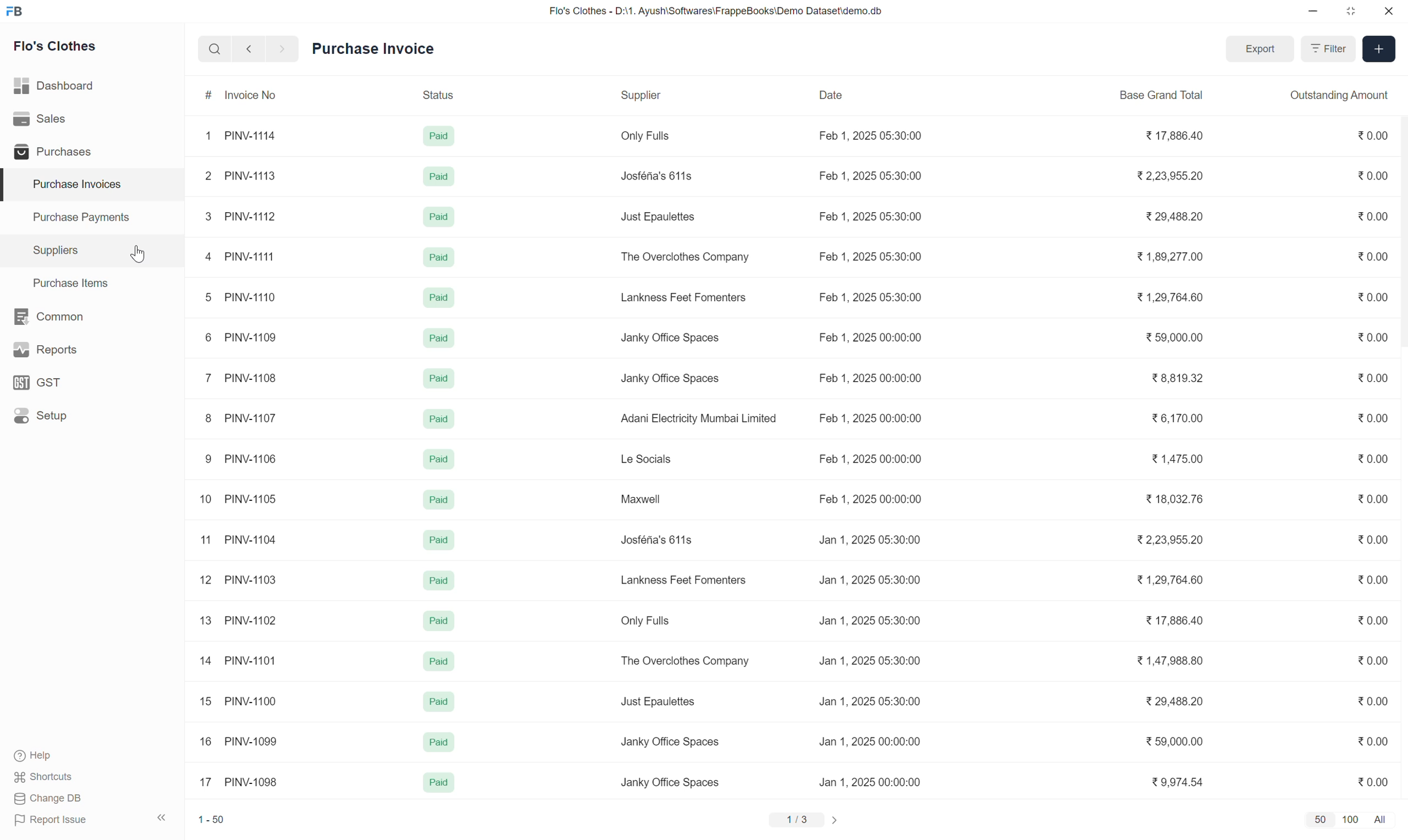  Describe the element at coordinates (1180, 459) in the screenshot. I see `1,475.00` at that location.